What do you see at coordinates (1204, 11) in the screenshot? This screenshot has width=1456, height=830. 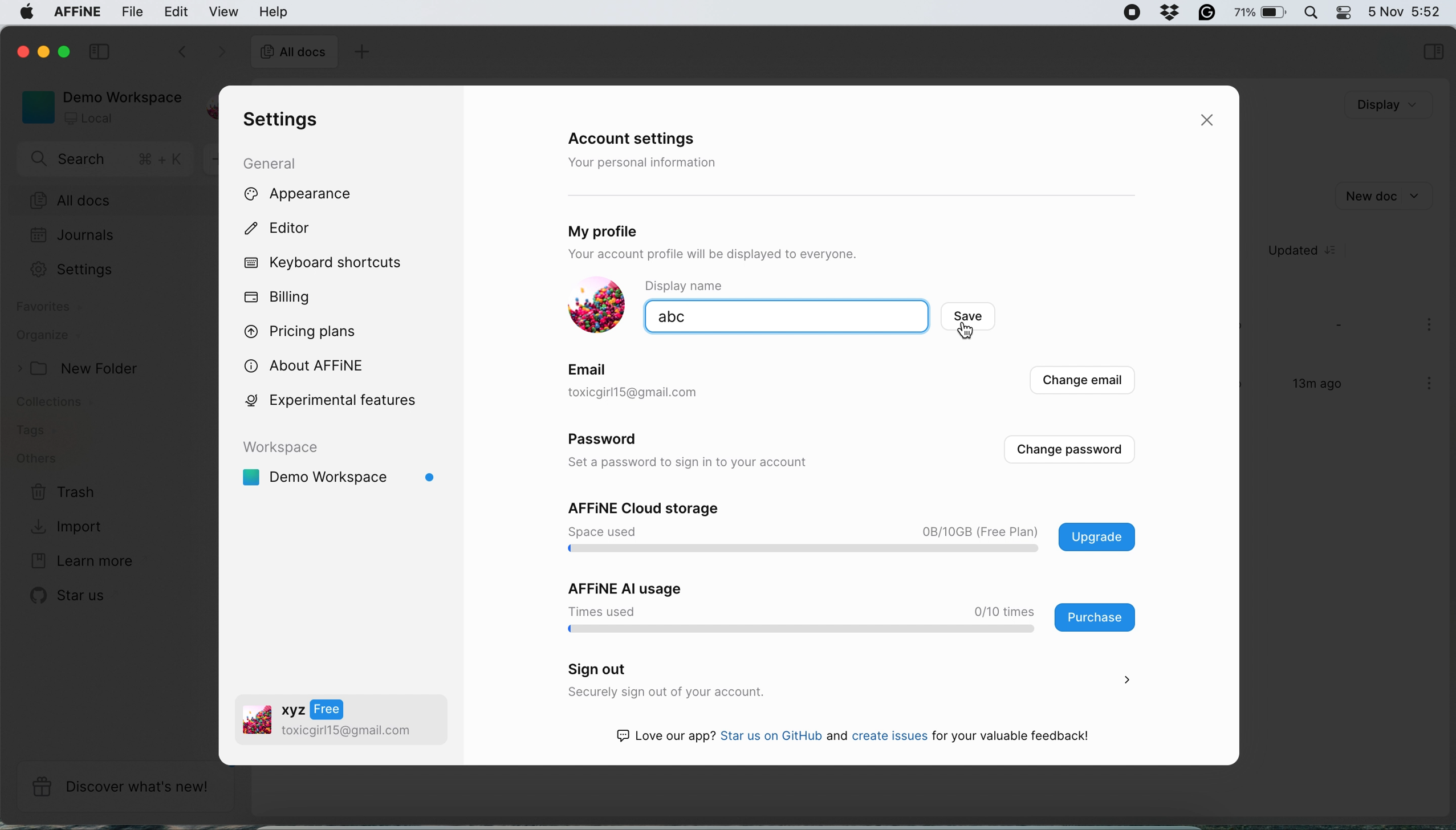 I see `grammarly` at bounding box center [1204, 11].